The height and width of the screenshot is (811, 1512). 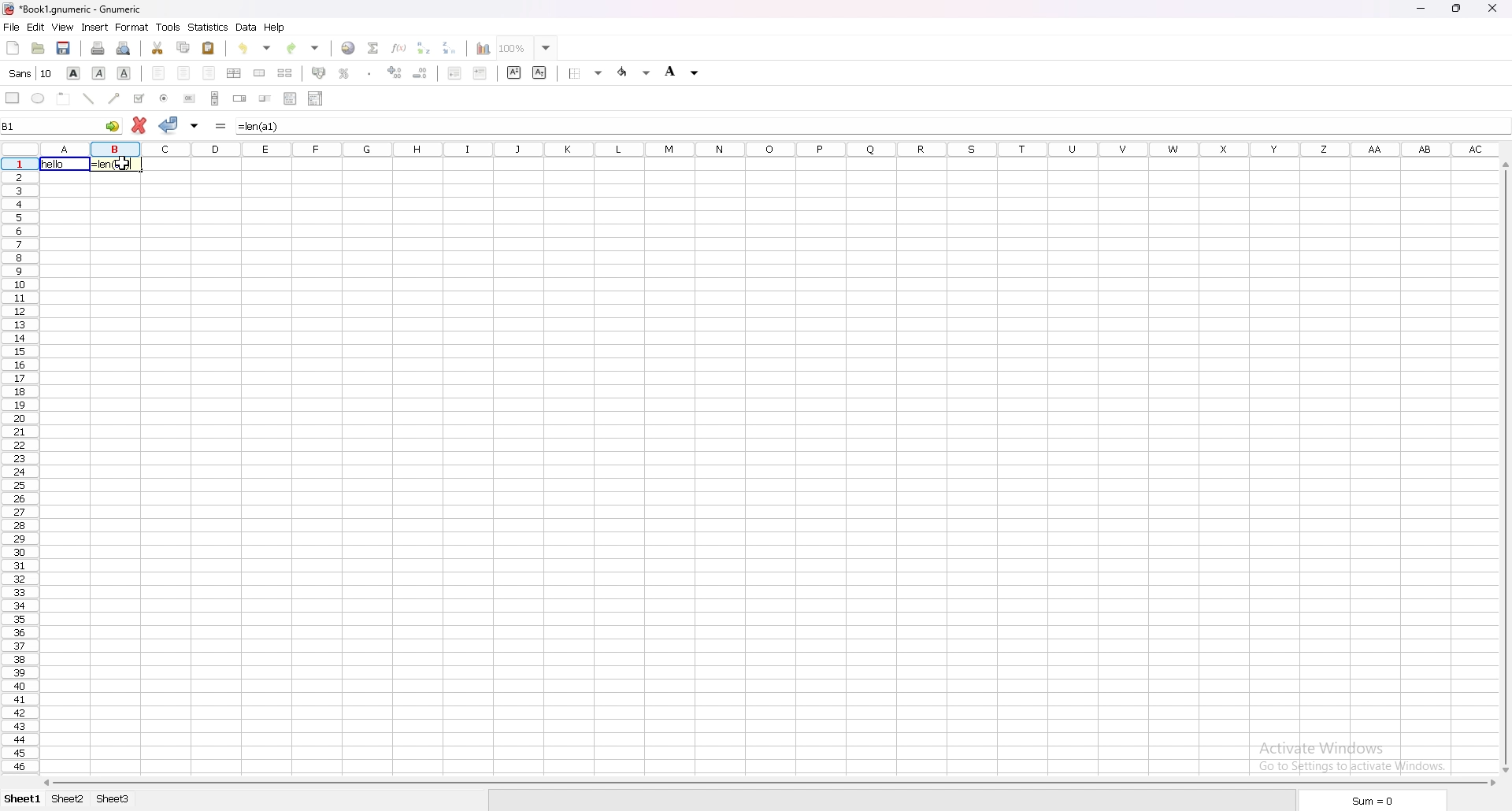 What do you see at coordinates (1372, 801) in the screenshot?
I see `sum` at bounding box center [1372, 801].